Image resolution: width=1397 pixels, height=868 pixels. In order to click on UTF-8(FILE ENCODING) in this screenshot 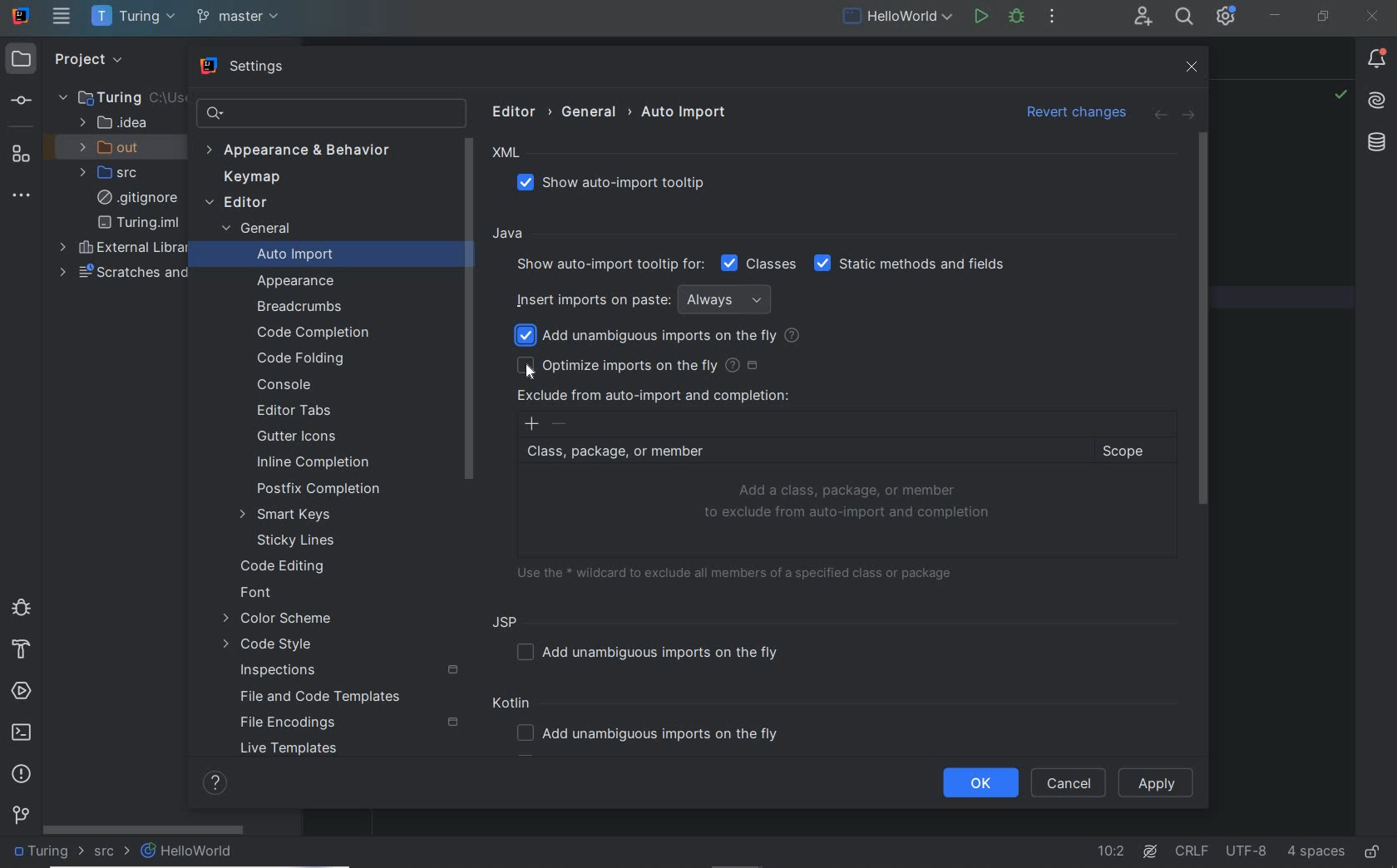, I will do `click(1244, 852)`.